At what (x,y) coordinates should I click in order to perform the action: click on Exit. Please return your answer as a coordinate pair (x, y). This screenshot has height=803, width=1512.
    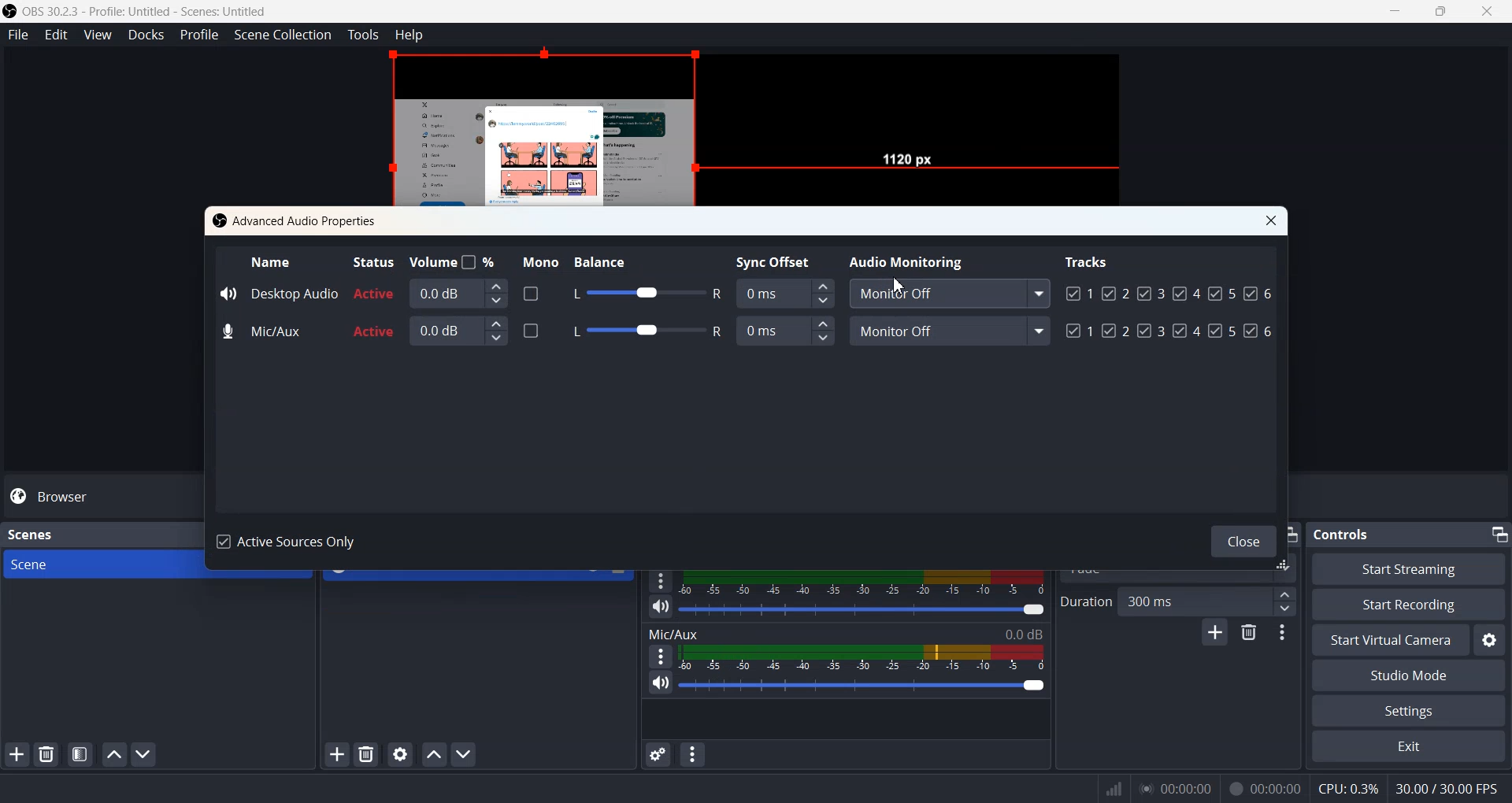
    Looking at the image, I should click on (1407, 748).